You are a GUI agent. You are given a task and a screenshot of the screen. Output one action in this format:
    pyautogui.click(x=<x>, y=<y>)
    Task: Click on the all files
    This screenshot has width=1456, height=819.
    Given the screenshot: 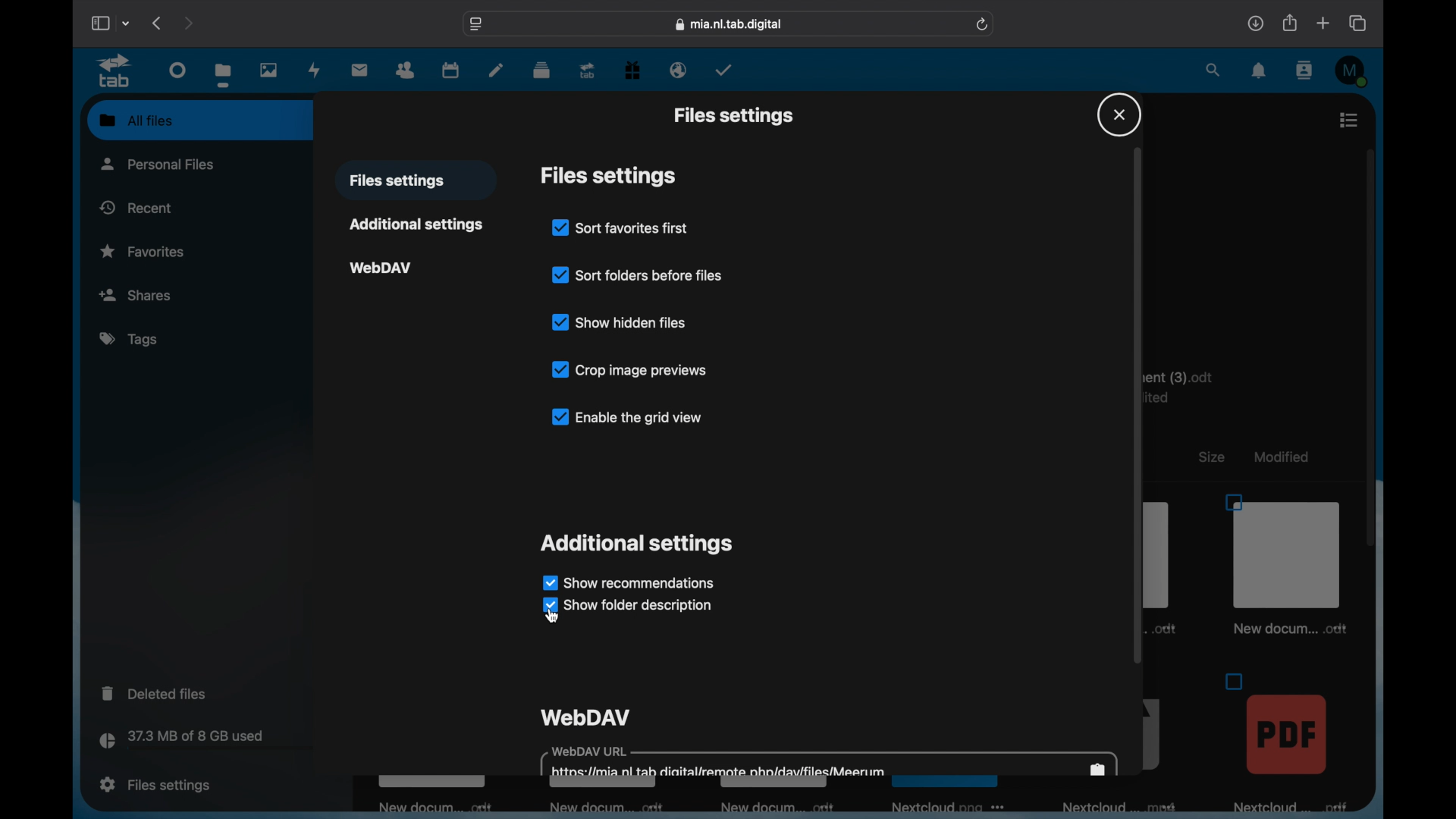 What is the action you would take?
    pyautogui.click(x=136, y=120)
    